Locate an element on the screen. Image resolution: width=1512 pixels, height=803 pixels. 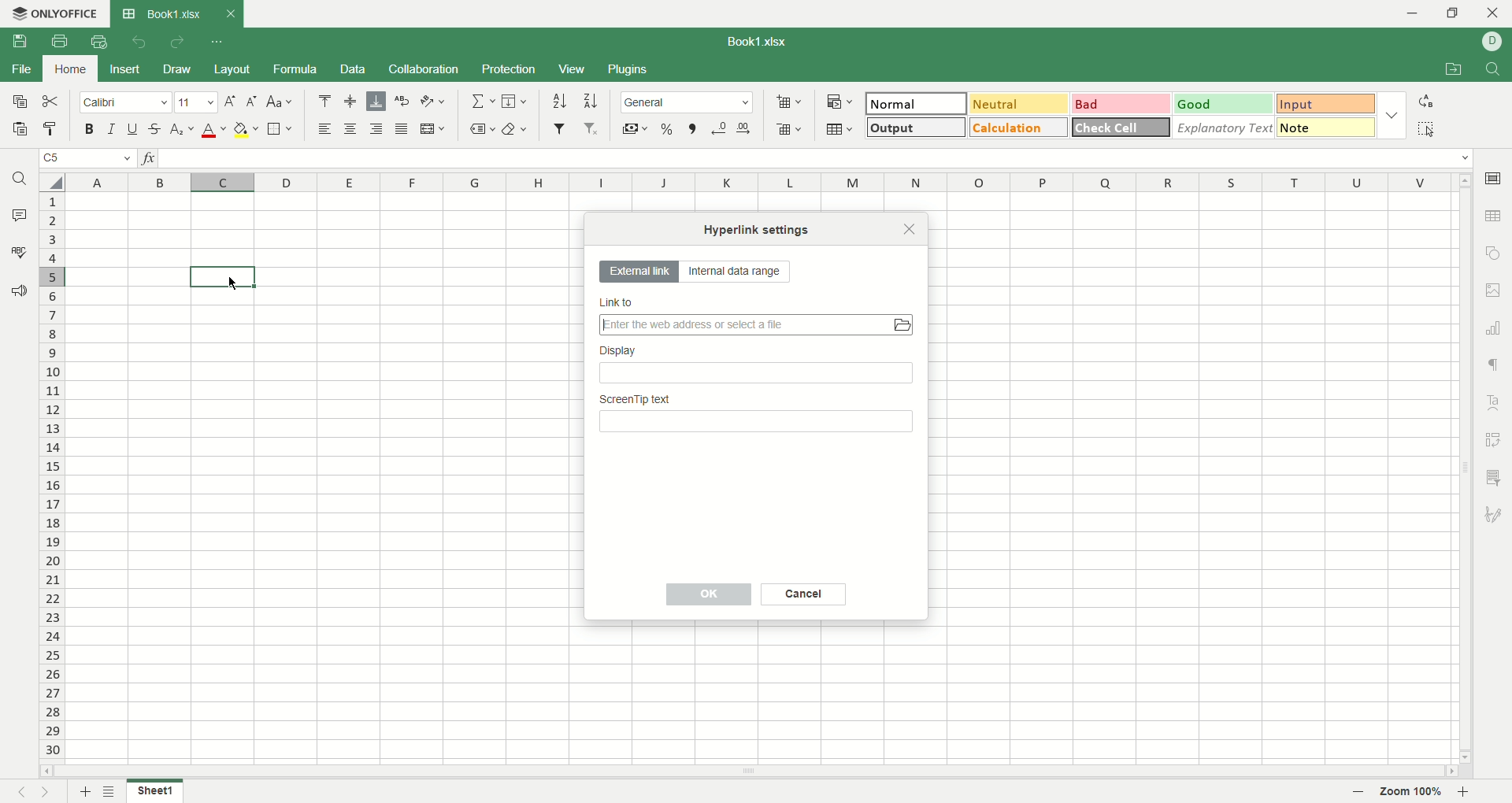
feedback and support is located at coordinates (20, 291).